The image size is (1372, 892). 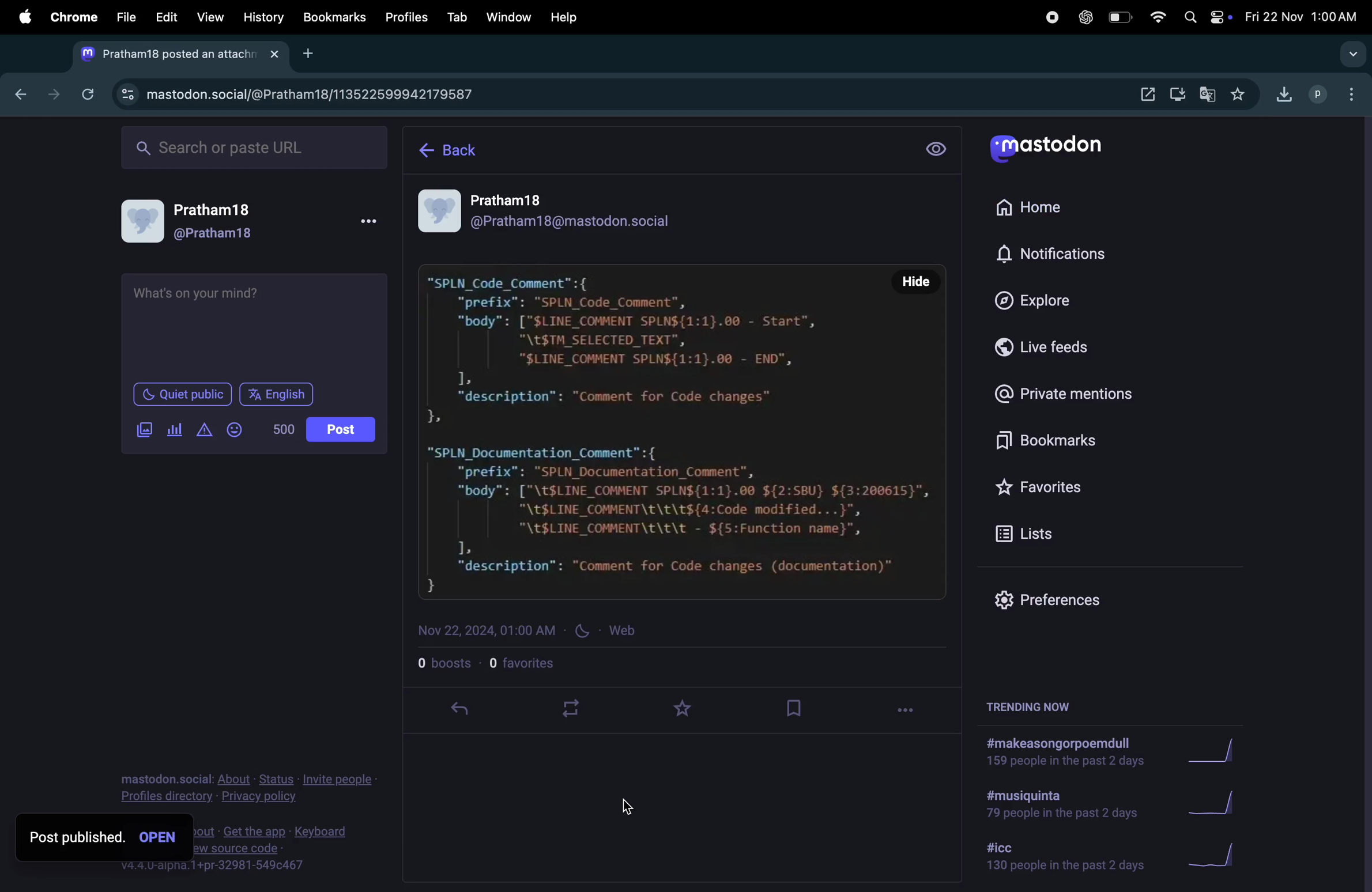 What do you see at coordinates (257, 830) in the screenshot?
I see `get the app` at bounding box center [257, 830].